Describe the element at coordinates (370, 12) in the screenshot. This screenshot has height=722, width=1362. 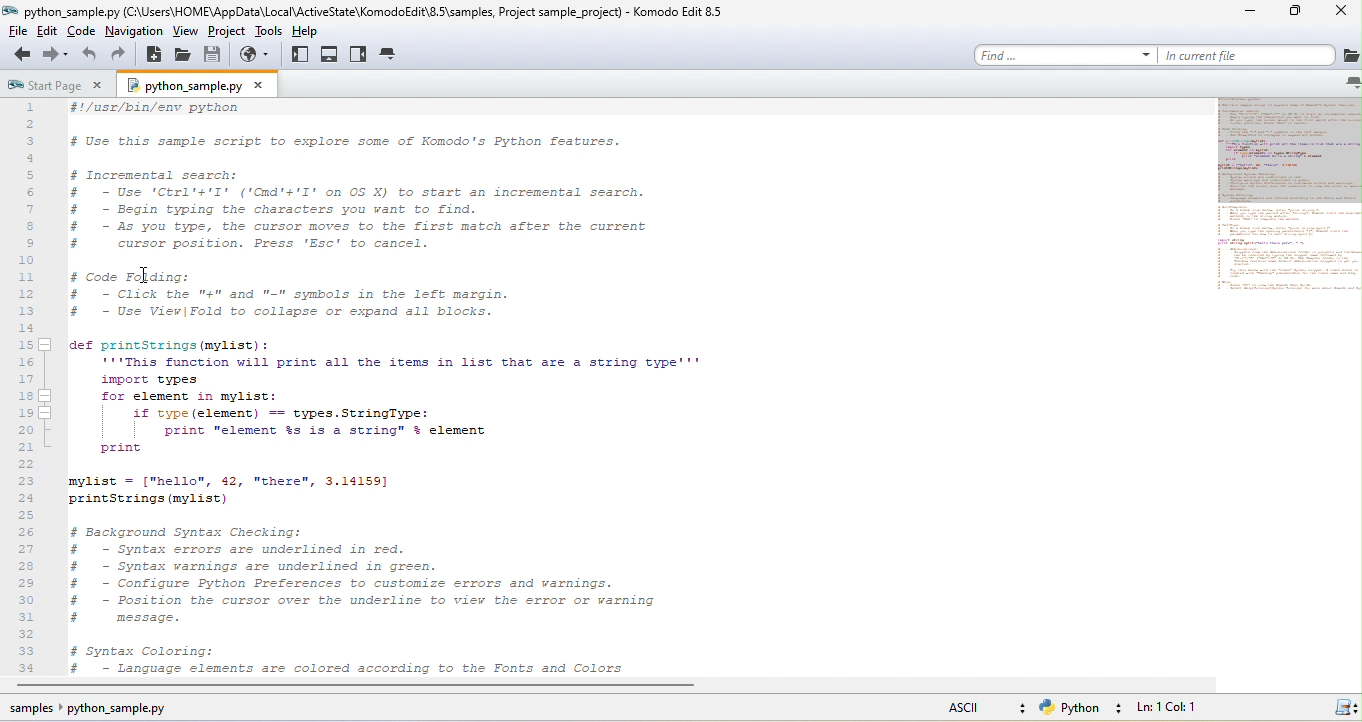
I see `title` at that location.